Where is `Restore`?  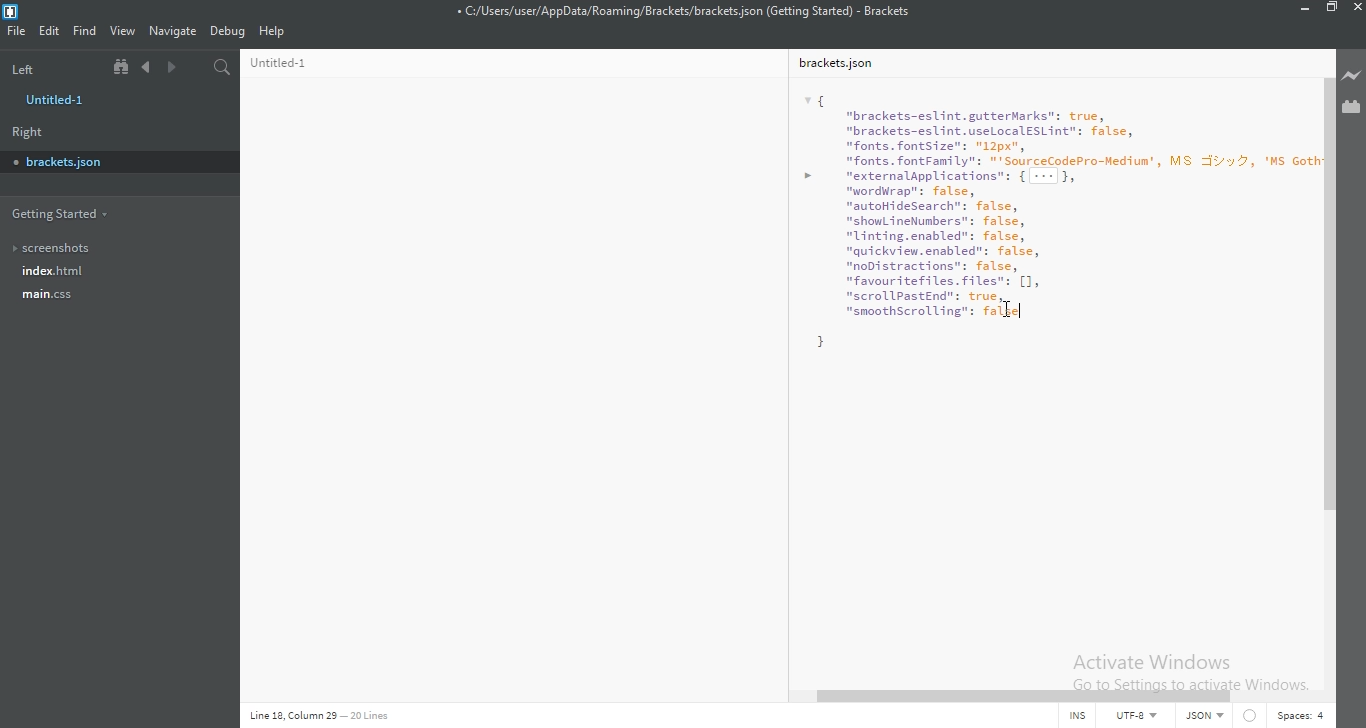 Restore is located at coordinates (1332, 9).